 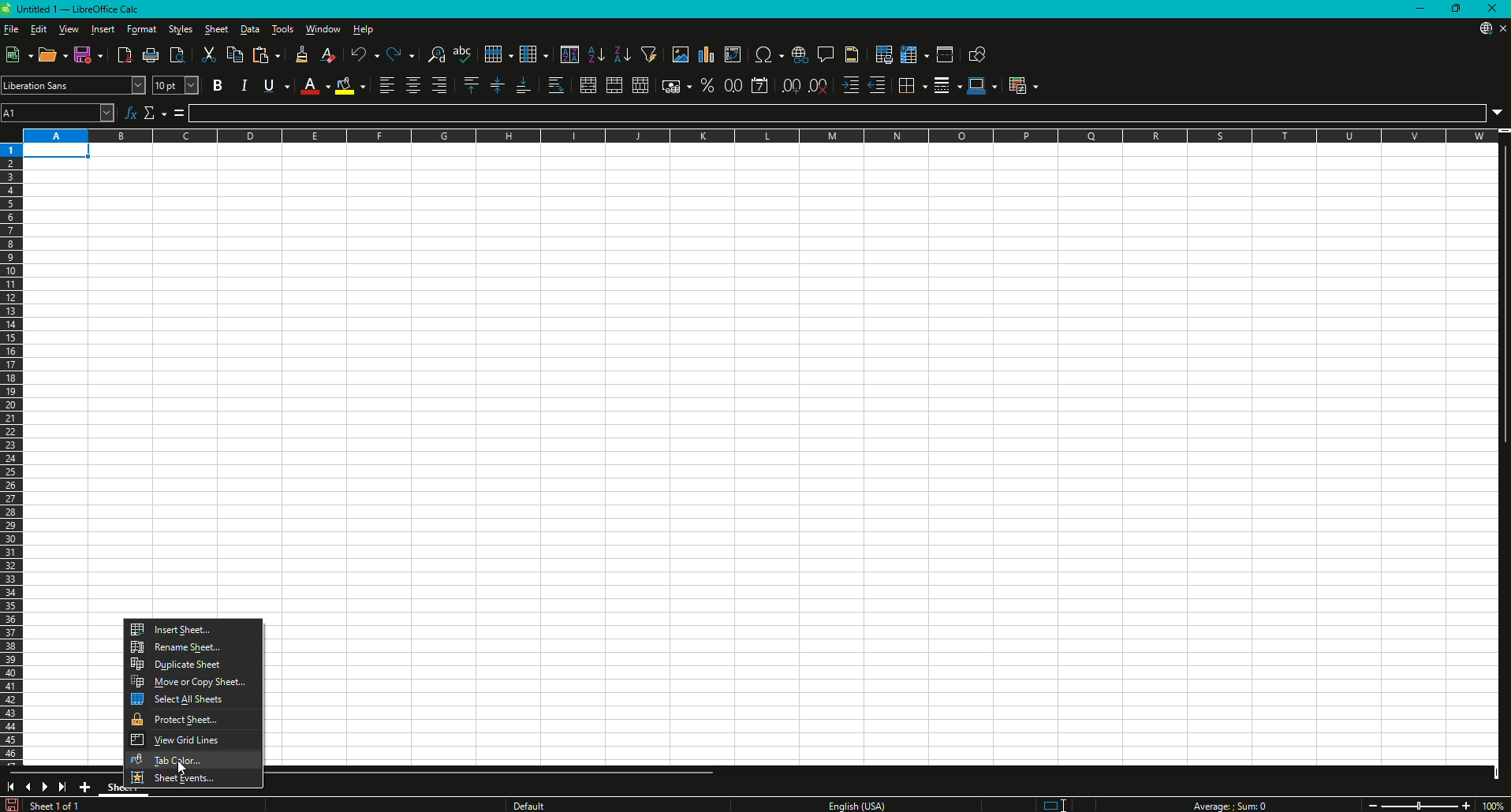 I want to click on Styles, so click(x=181, y=28).